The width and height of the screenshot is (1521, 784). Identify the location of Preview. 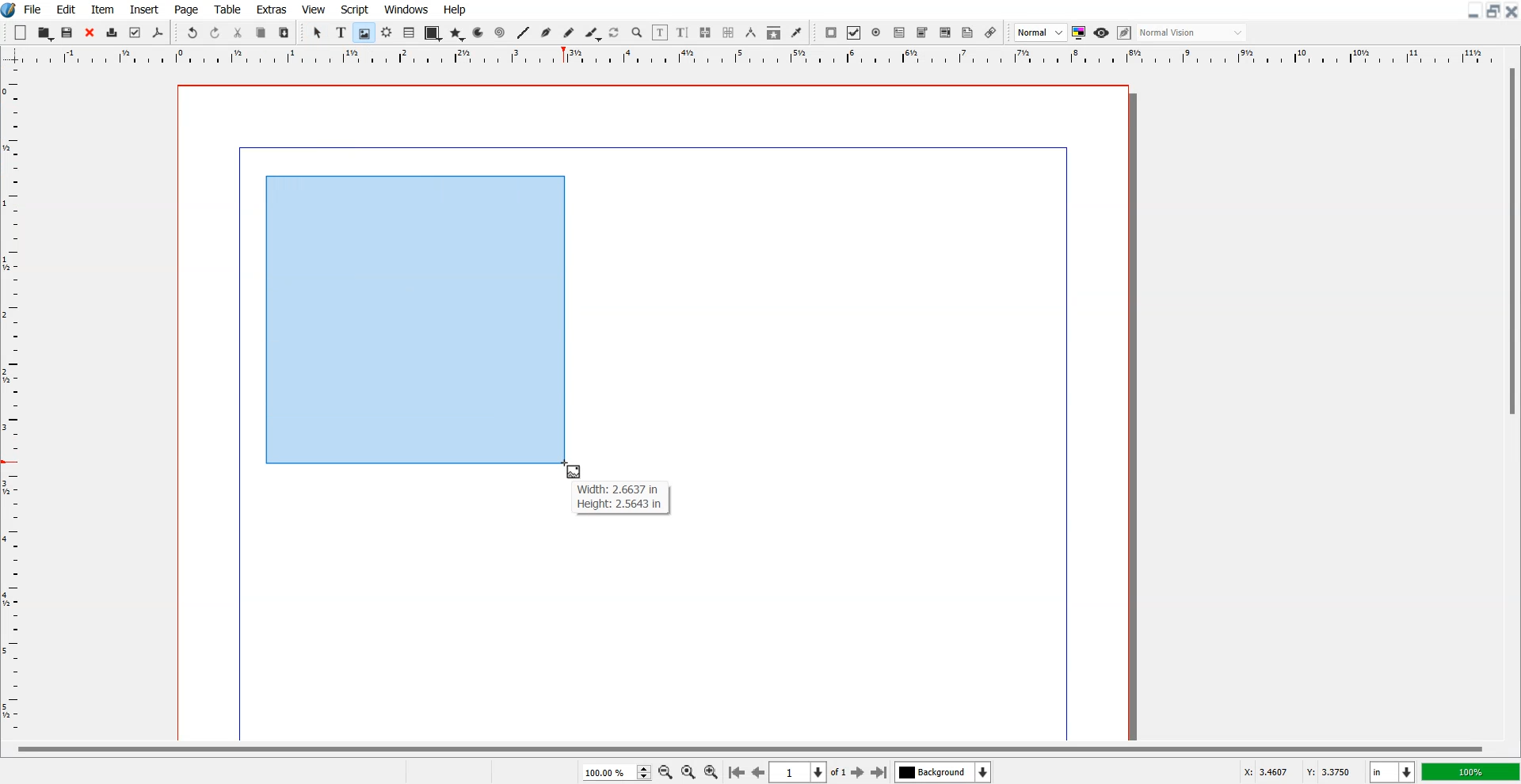
(1101, 32).